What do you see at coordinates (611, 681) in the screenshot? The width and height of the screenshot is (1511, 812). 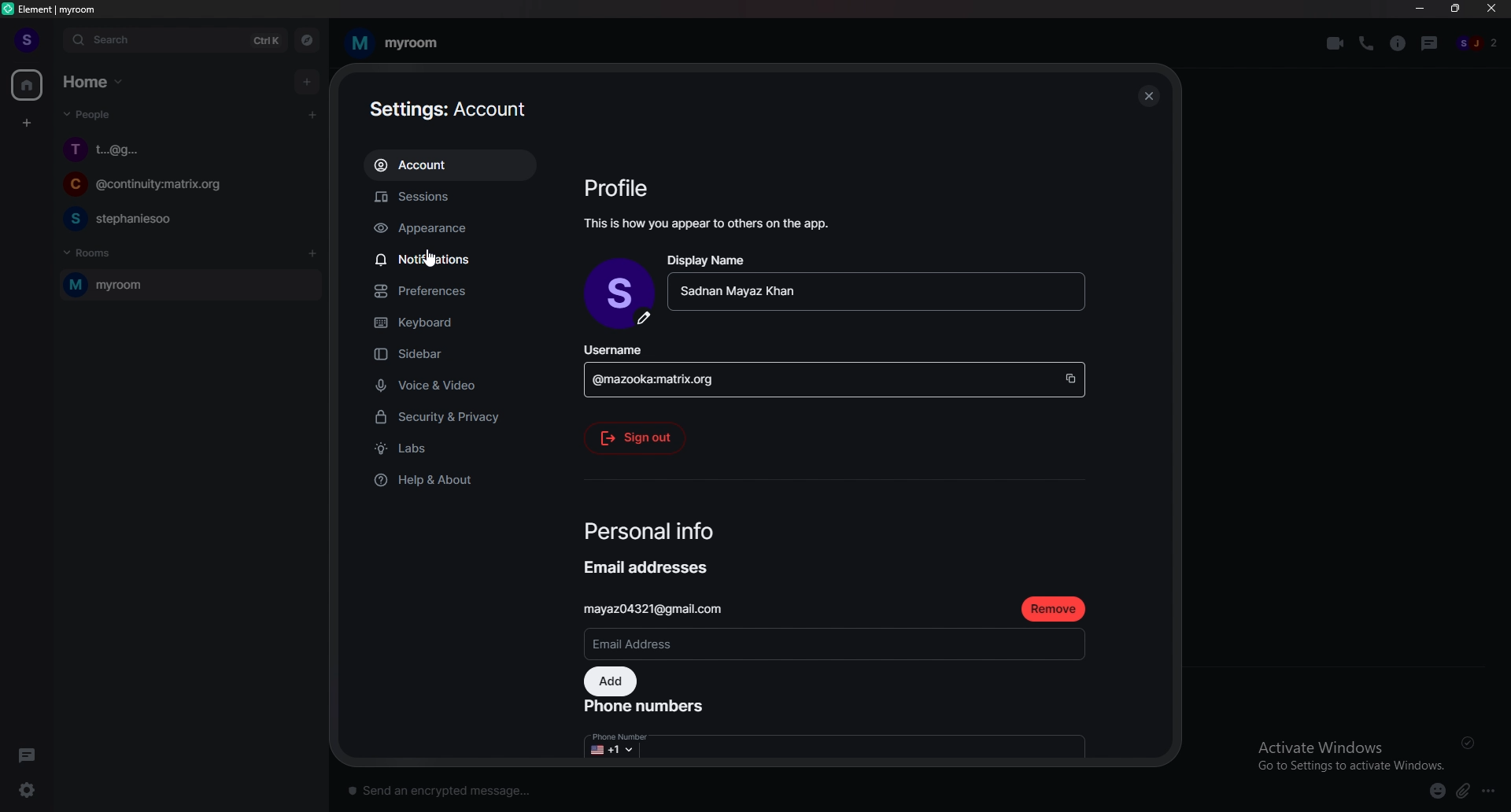 I see `add` at bounding box center [611, 681].